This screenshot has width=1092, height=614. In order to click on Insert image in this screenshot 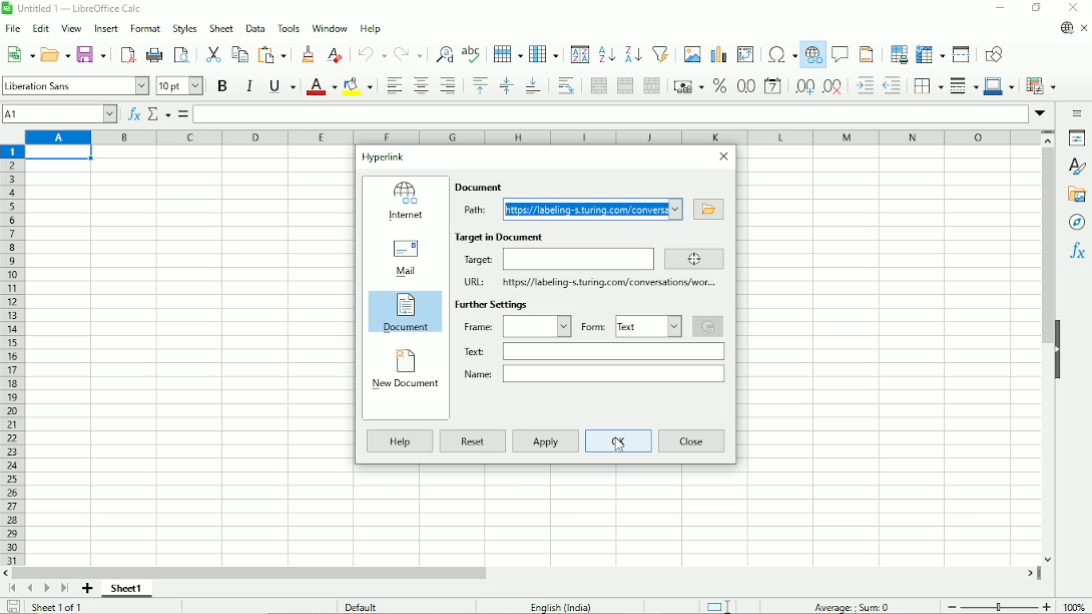, I will do `click(691, 53)`.